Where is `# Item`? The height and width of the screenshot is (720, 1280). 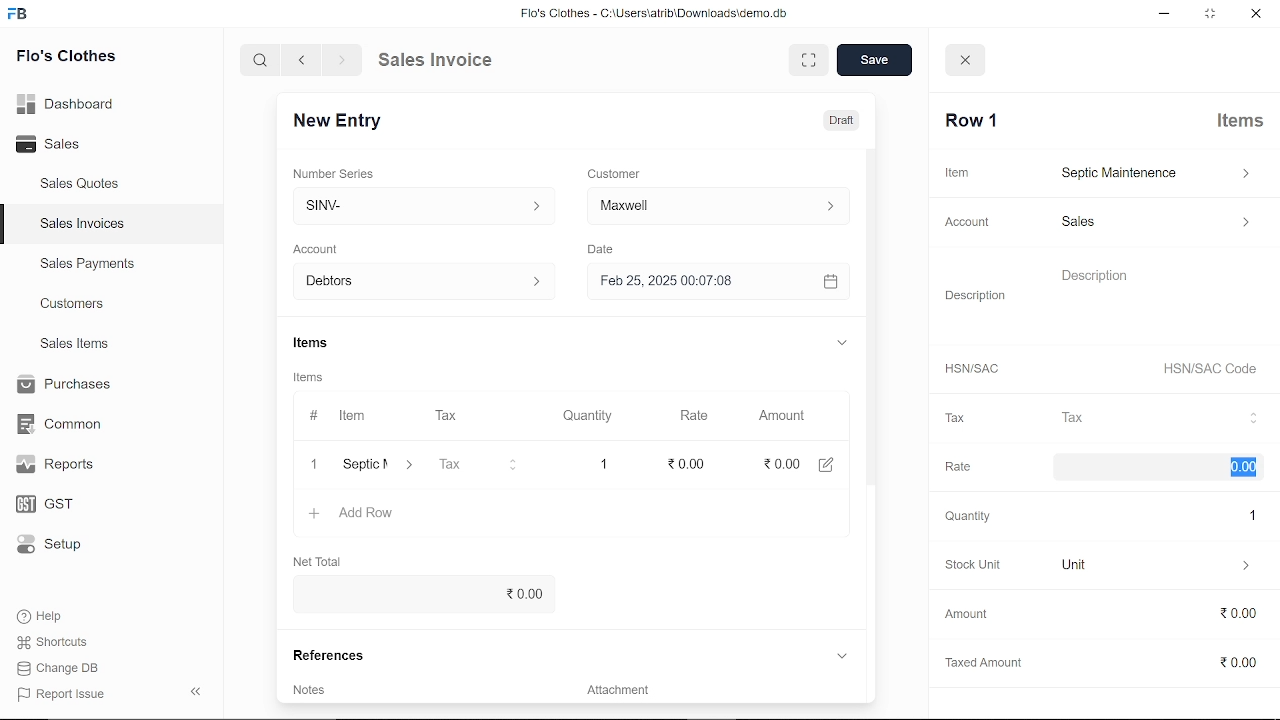 # Item is located at coordinates (337, 417).